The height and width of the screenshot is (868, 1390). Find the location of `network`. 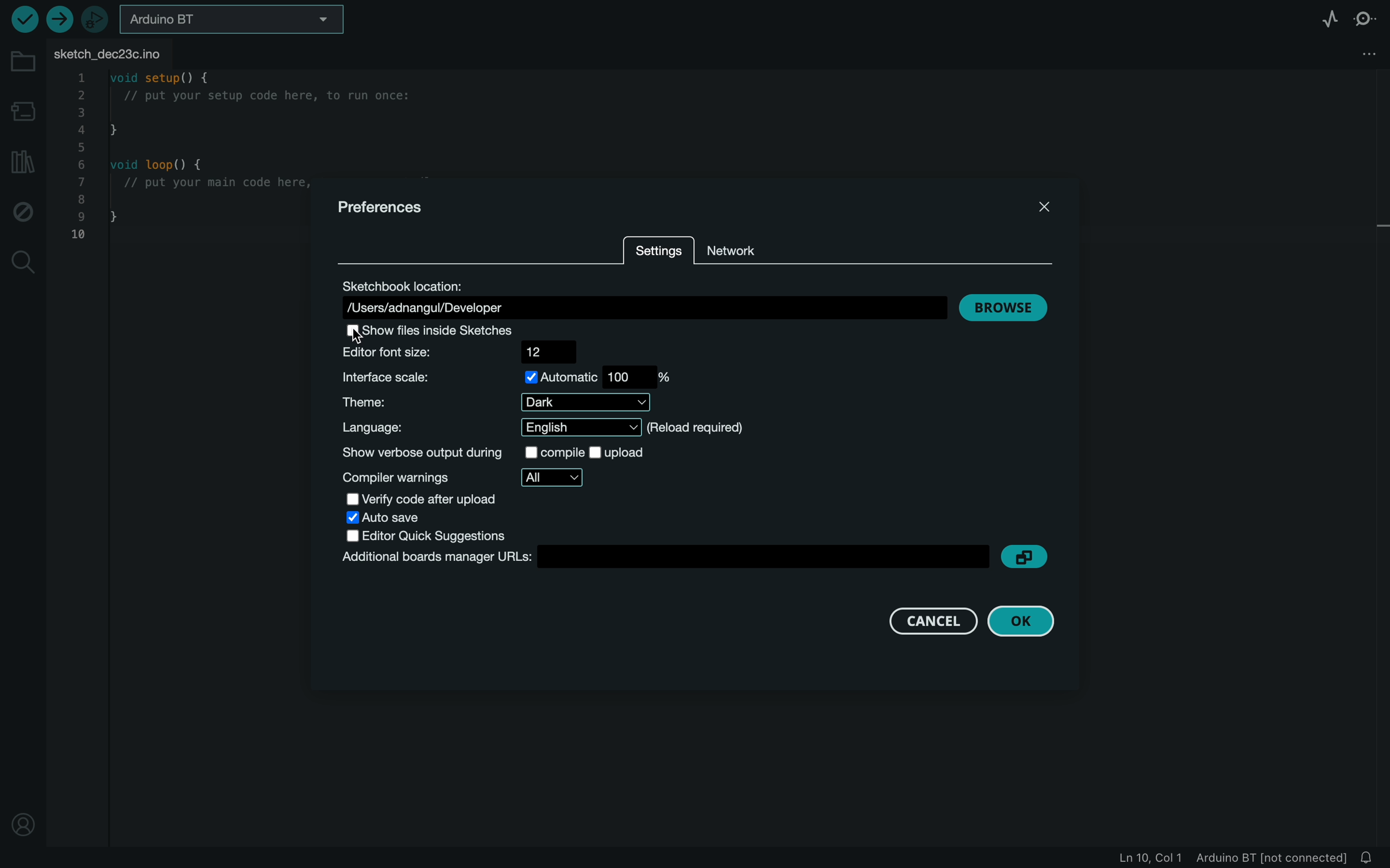

network is located at coordinates (748, 249).